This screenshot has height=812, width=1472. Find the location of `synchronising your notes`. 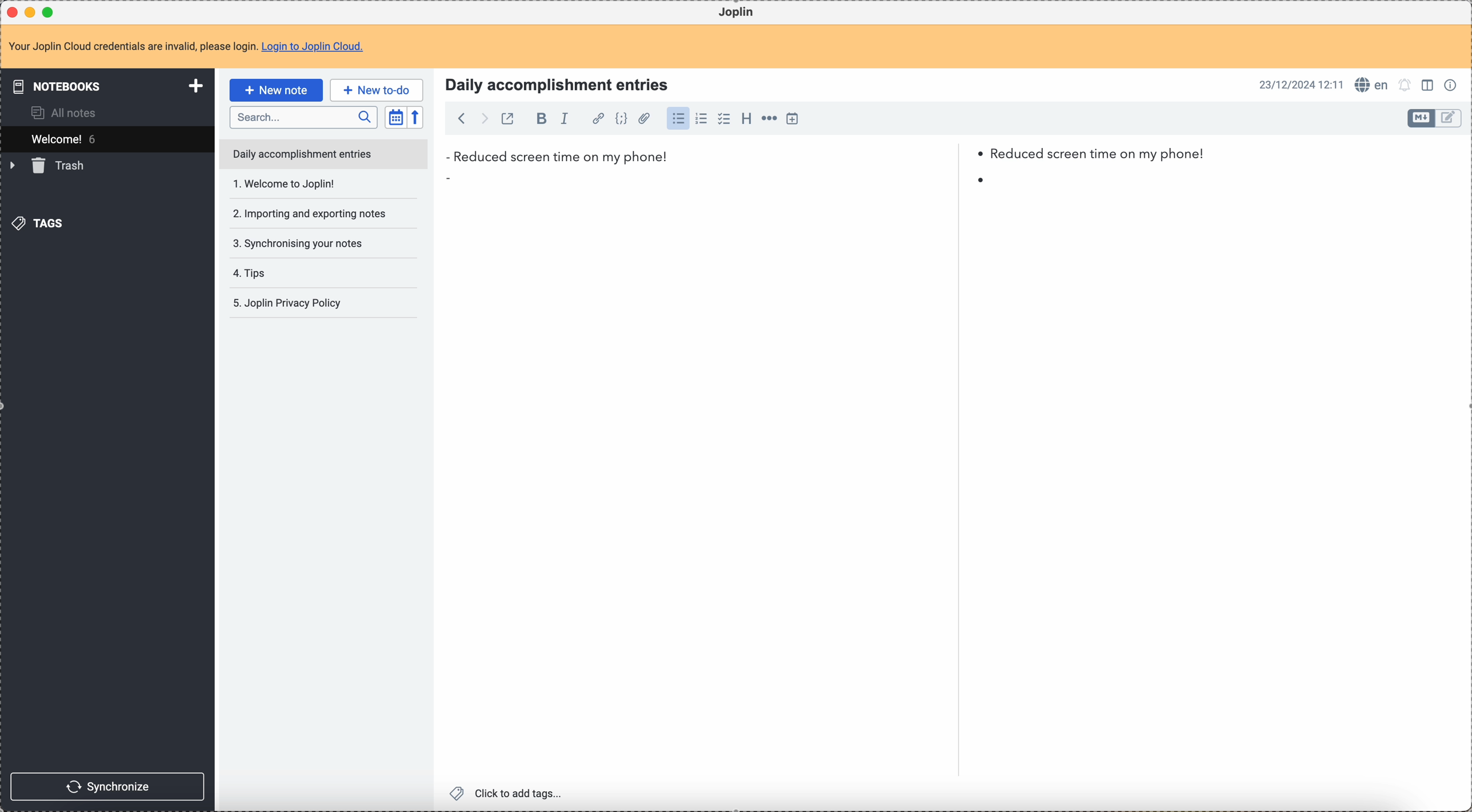

synchronising your notes is located at coordinates (303, 214).